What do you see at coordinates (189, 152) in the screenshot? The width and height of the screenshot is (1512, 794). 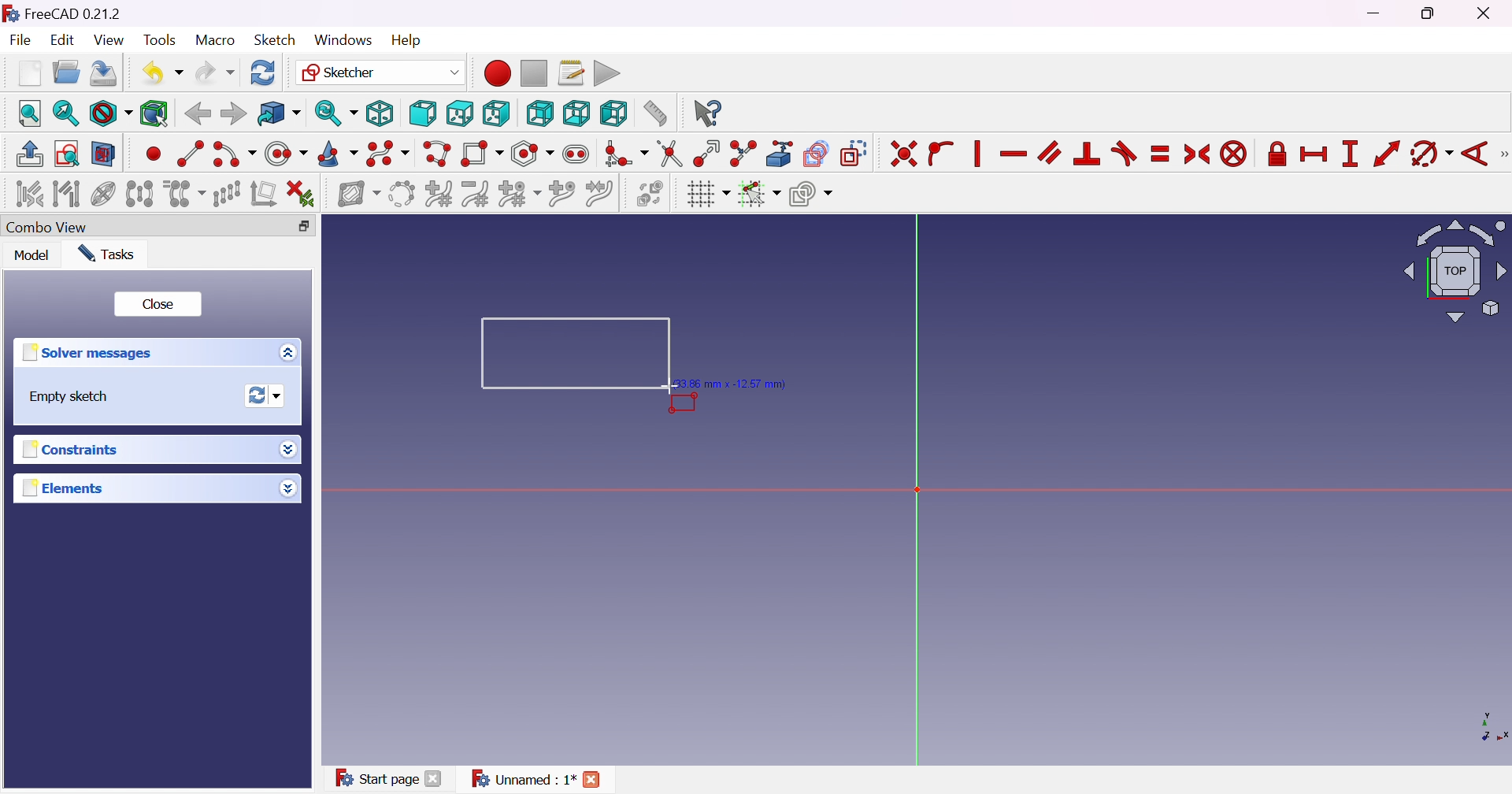 I see `Create line` at bounding box center [189, 152].